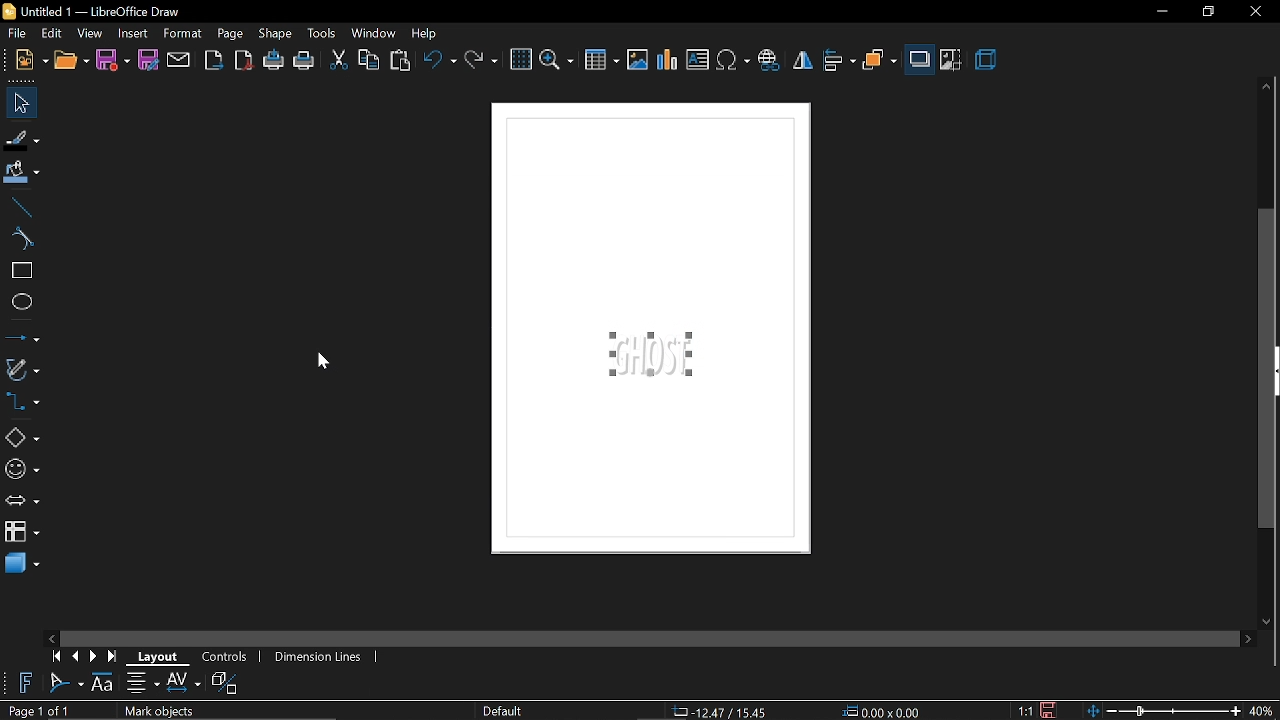 Image resolution: width=1280 pixels, height=720 pixels. What do you see at coordinates (557, 61) in the screenshot?
I see `zoom` at bounding box center [557, 61].